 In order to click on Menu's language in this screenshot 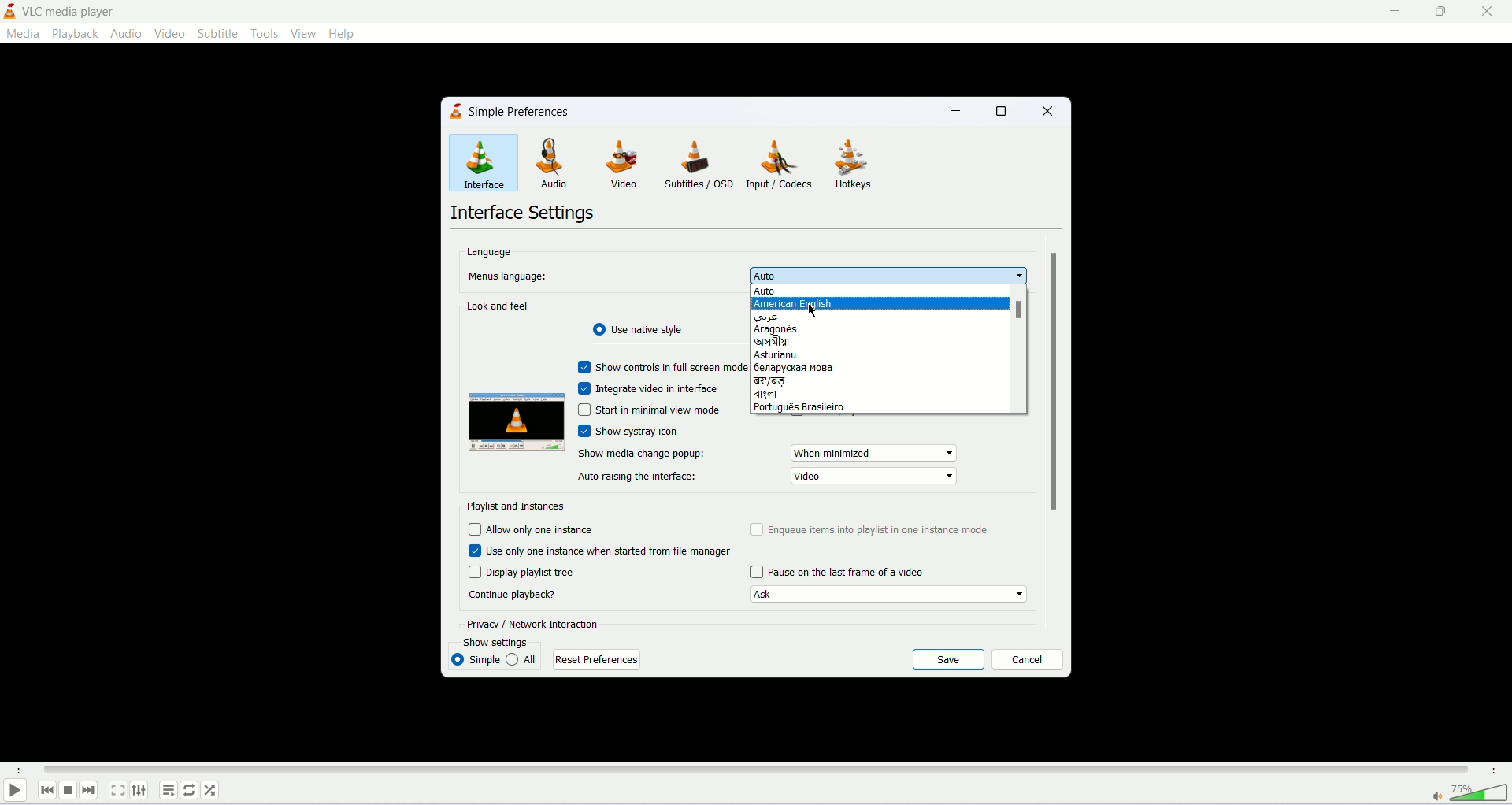, I will do `click(505, 276)`.